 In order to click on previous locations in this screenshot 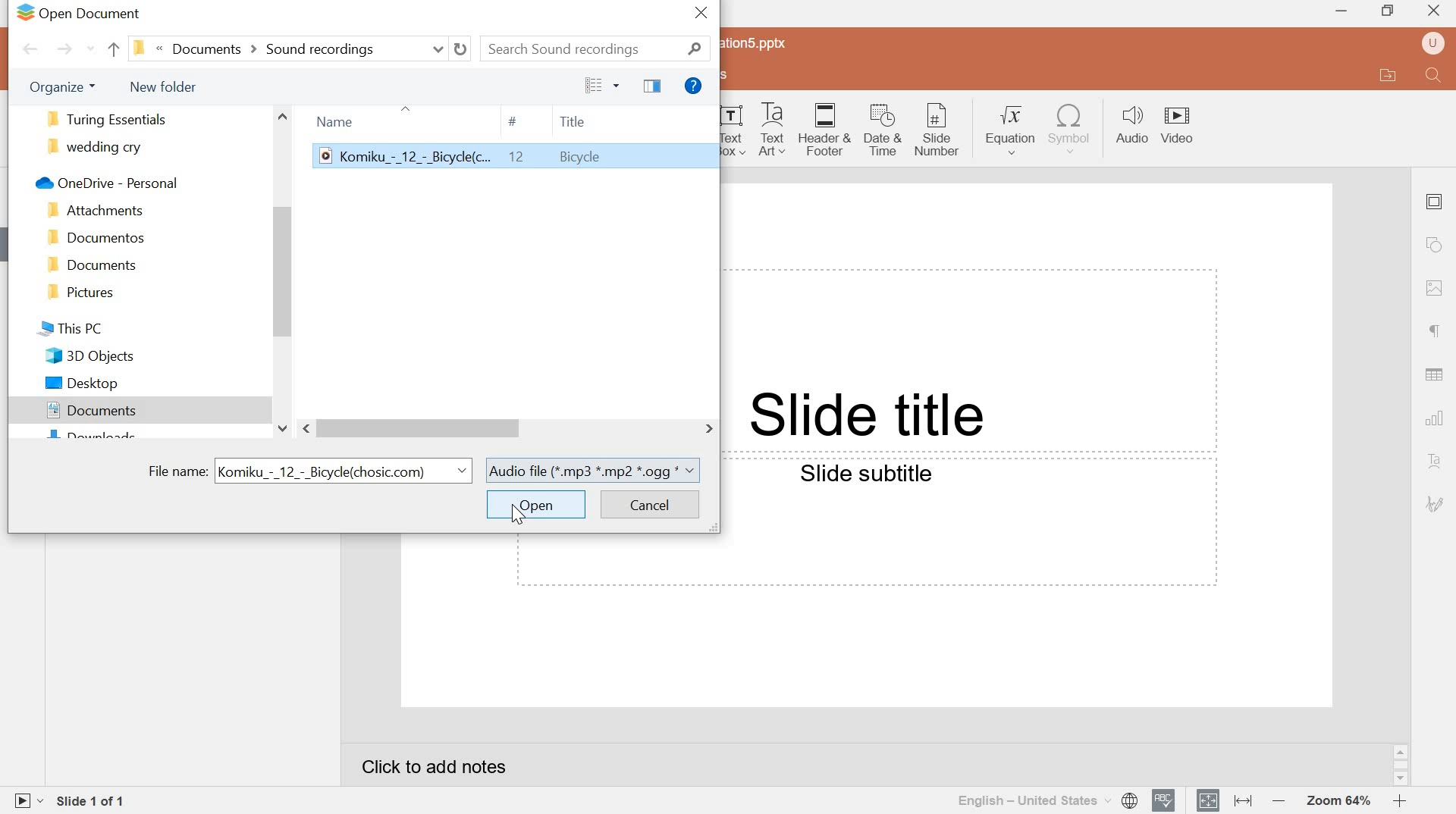, I will do `click(439, 49)`.